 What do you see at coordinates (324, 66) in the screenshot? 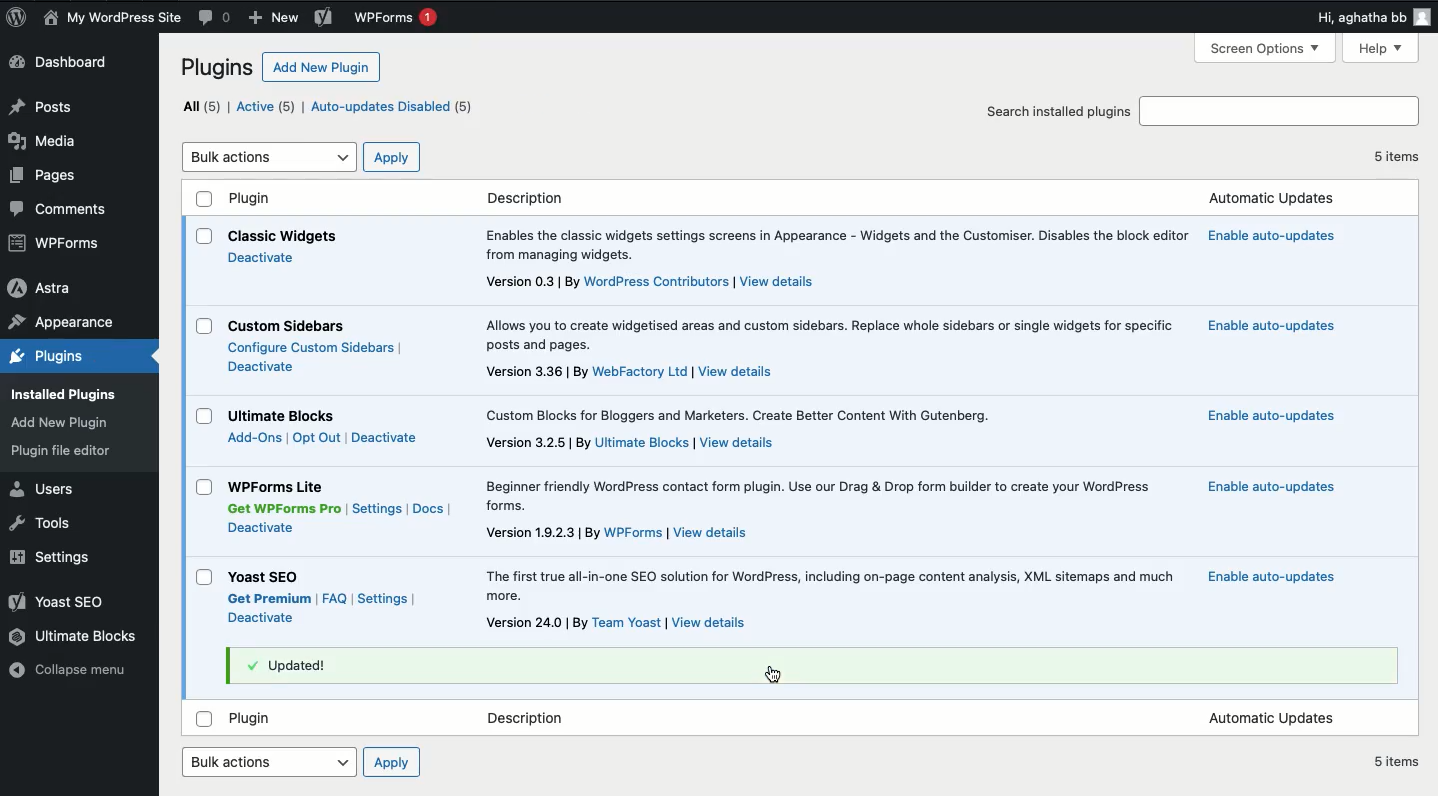
I see `Add new plugin` at bounding box center [324, 66].